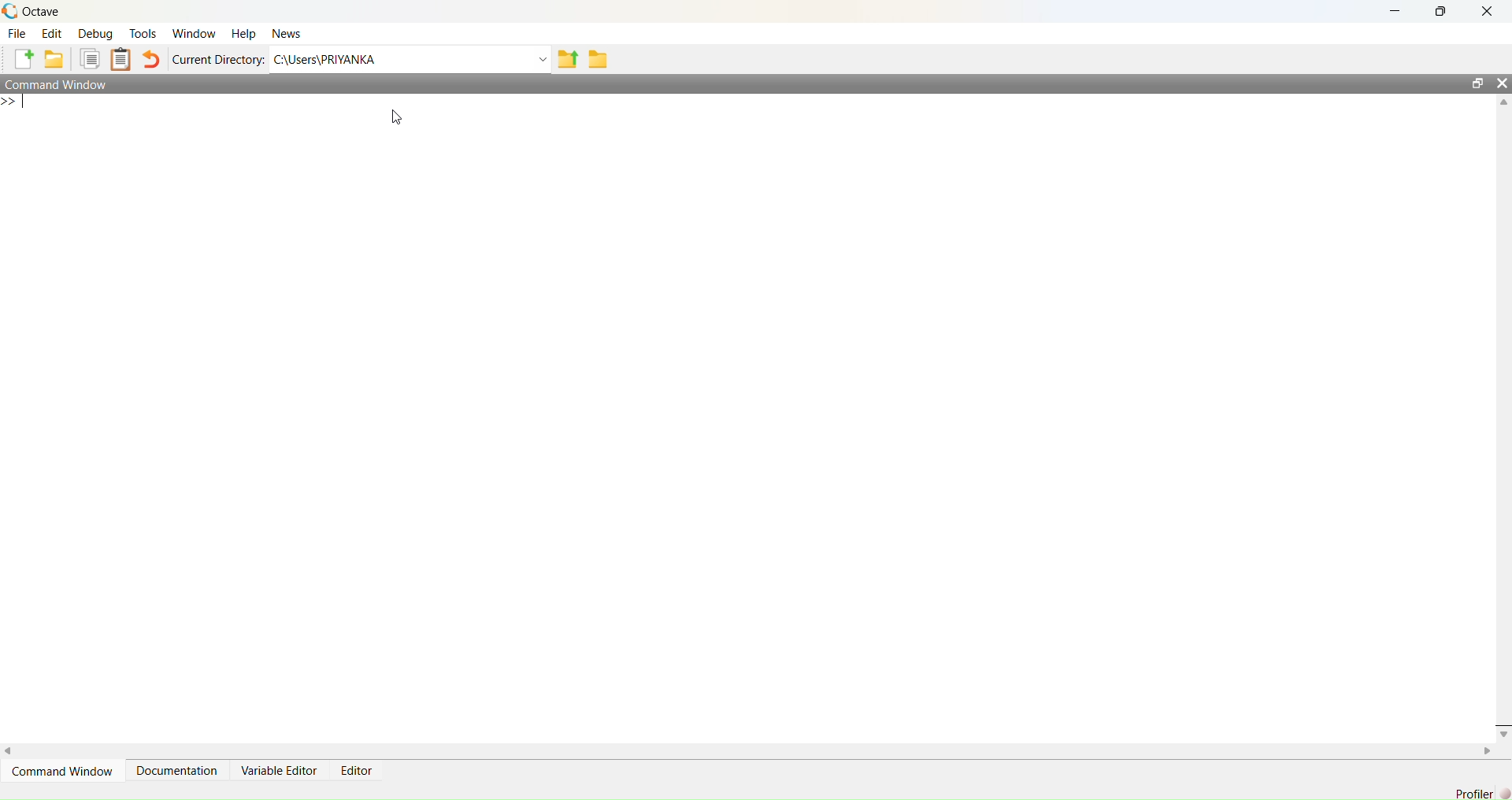 The image size is (1512, 800). I want to click on Edit, so click(56, 35).